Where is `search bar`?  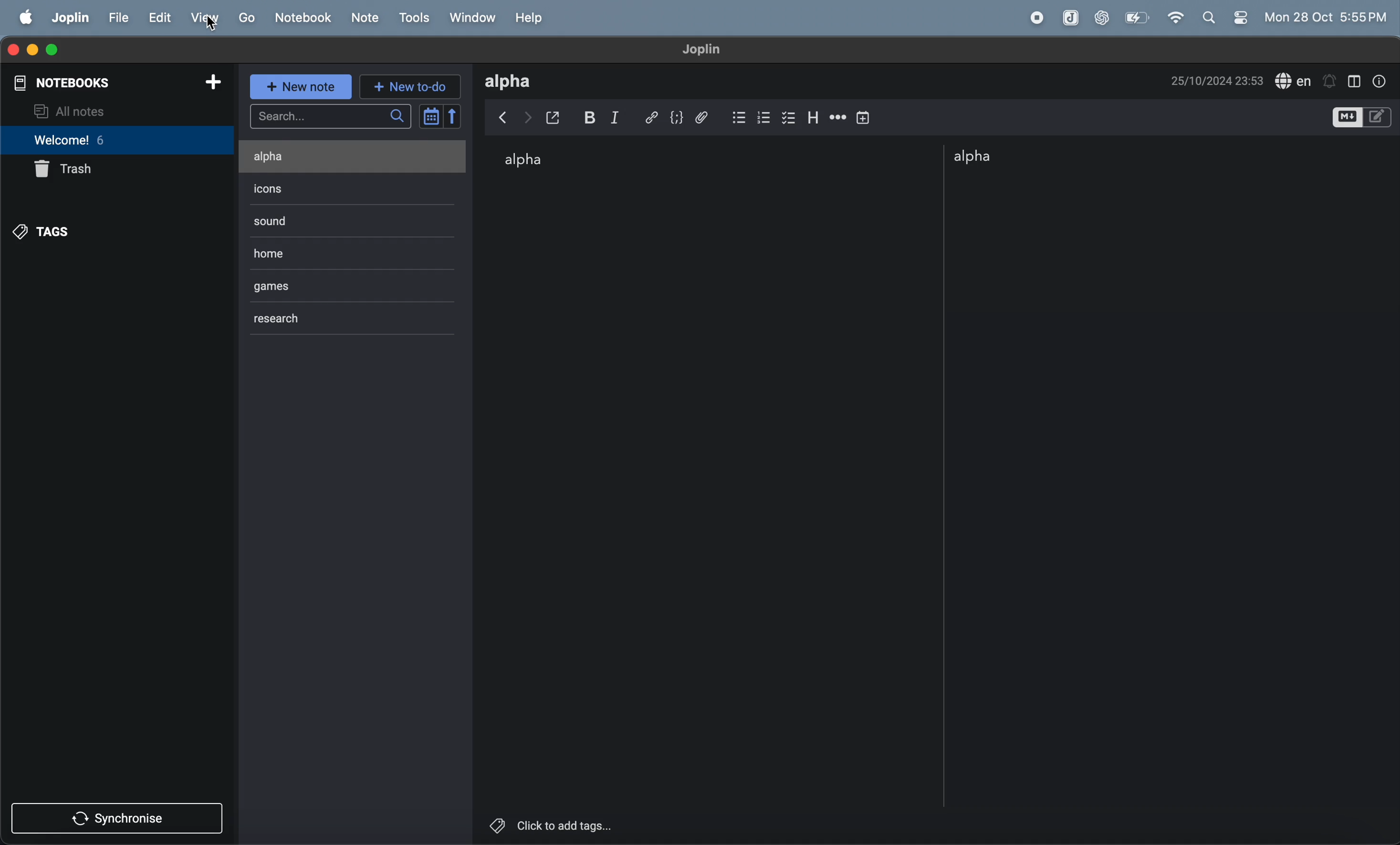 search bar is located at coordinates (330, 117).